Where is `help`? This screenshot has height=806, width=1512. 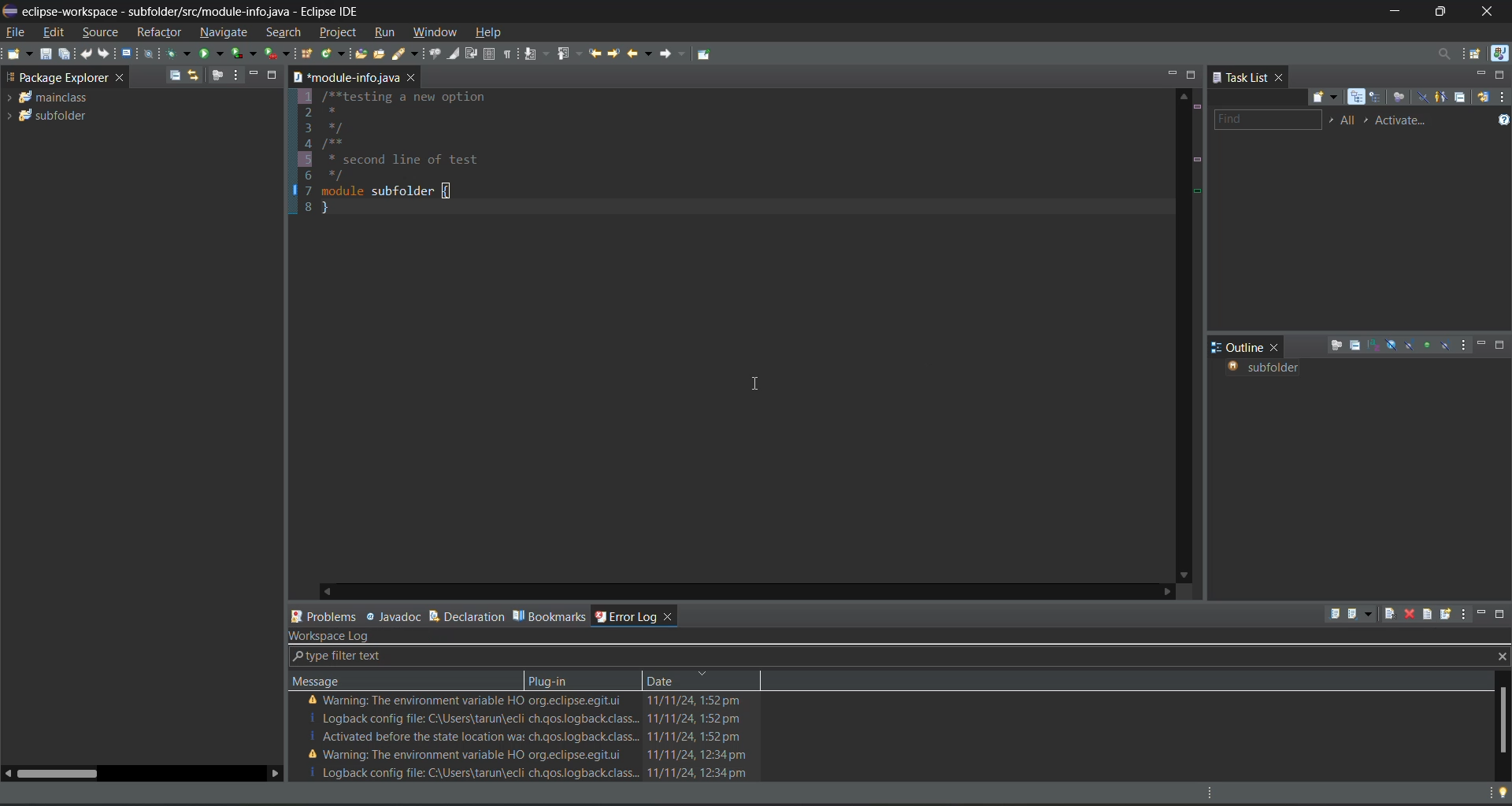 help is located at coordinates (487, 33).